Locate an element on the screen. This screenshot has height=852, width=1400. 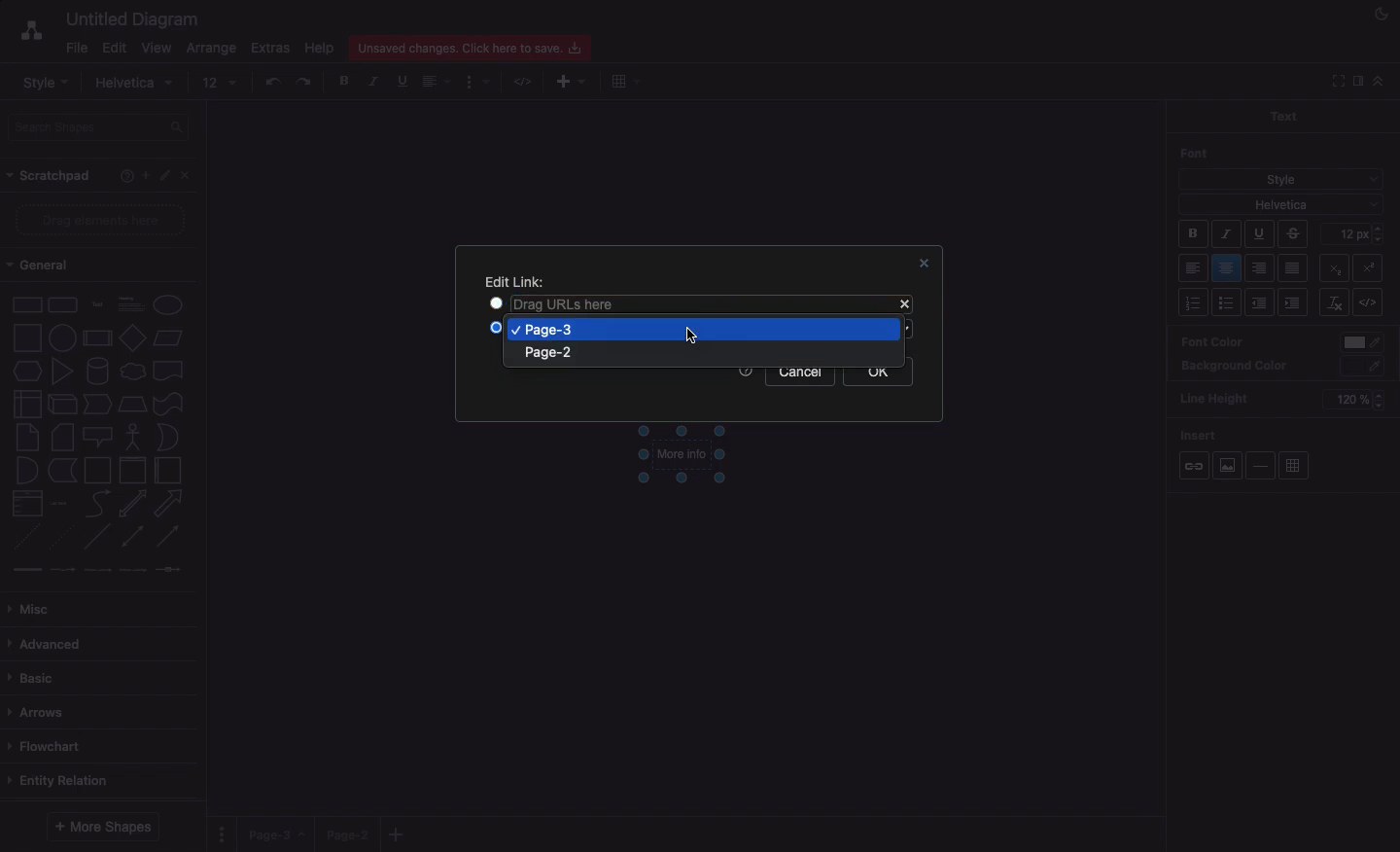
diamond is located at coordinates (133, 337).